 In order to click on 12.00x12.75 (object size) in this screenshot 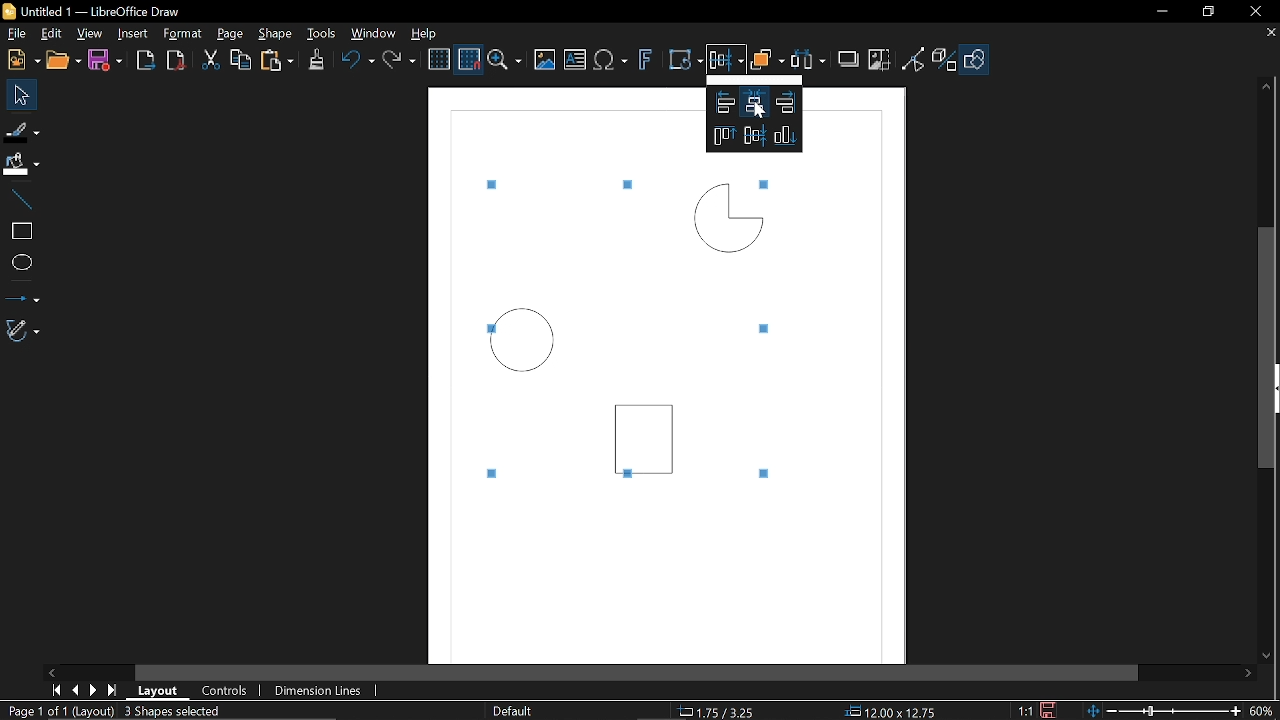, I will do `click(889, 712)`.